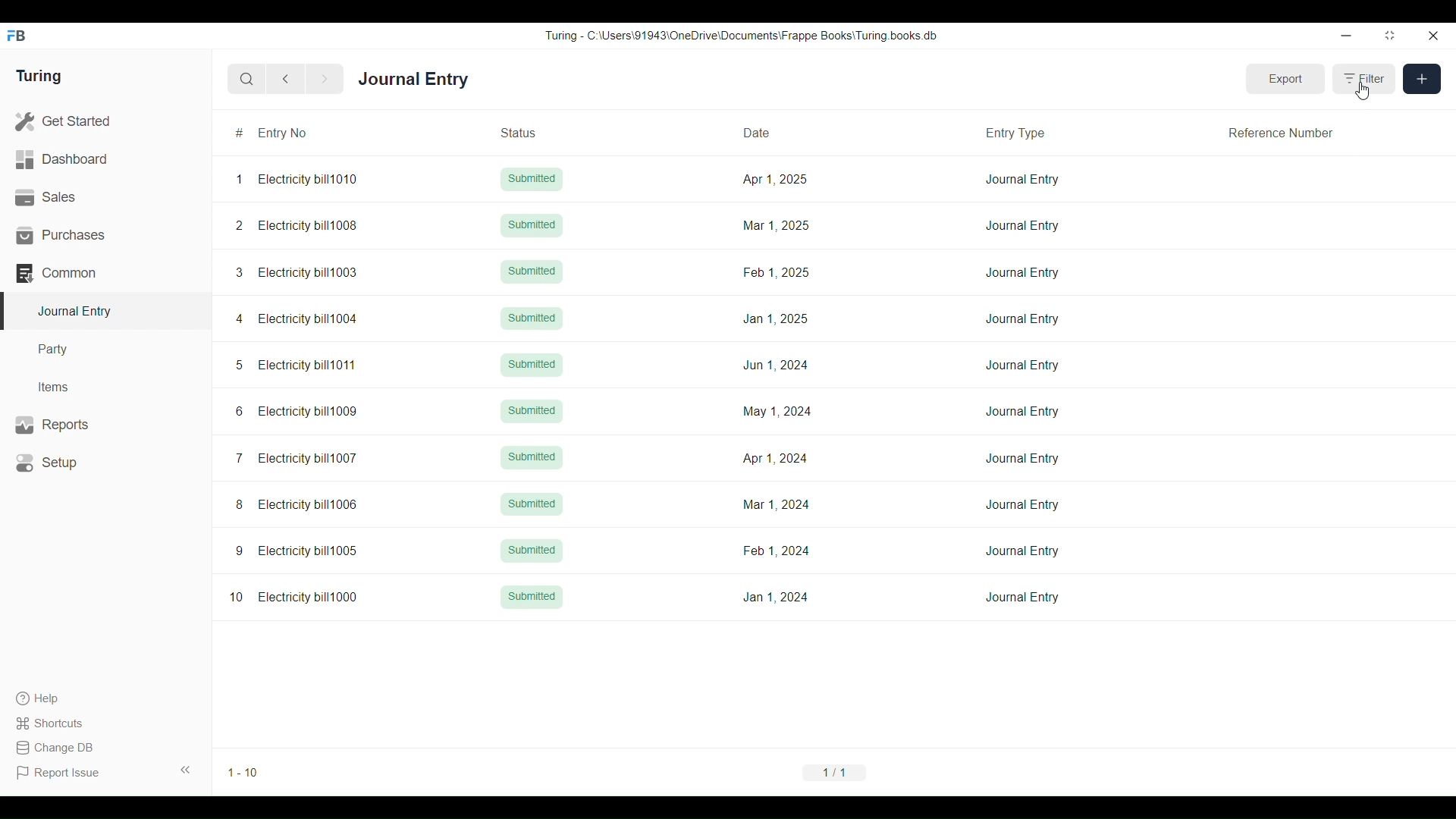 The width and height of the screenshot is (1456, 819). Describe the element at coordinates (39, 76) in the screenshot. I see `Turing` at that location.